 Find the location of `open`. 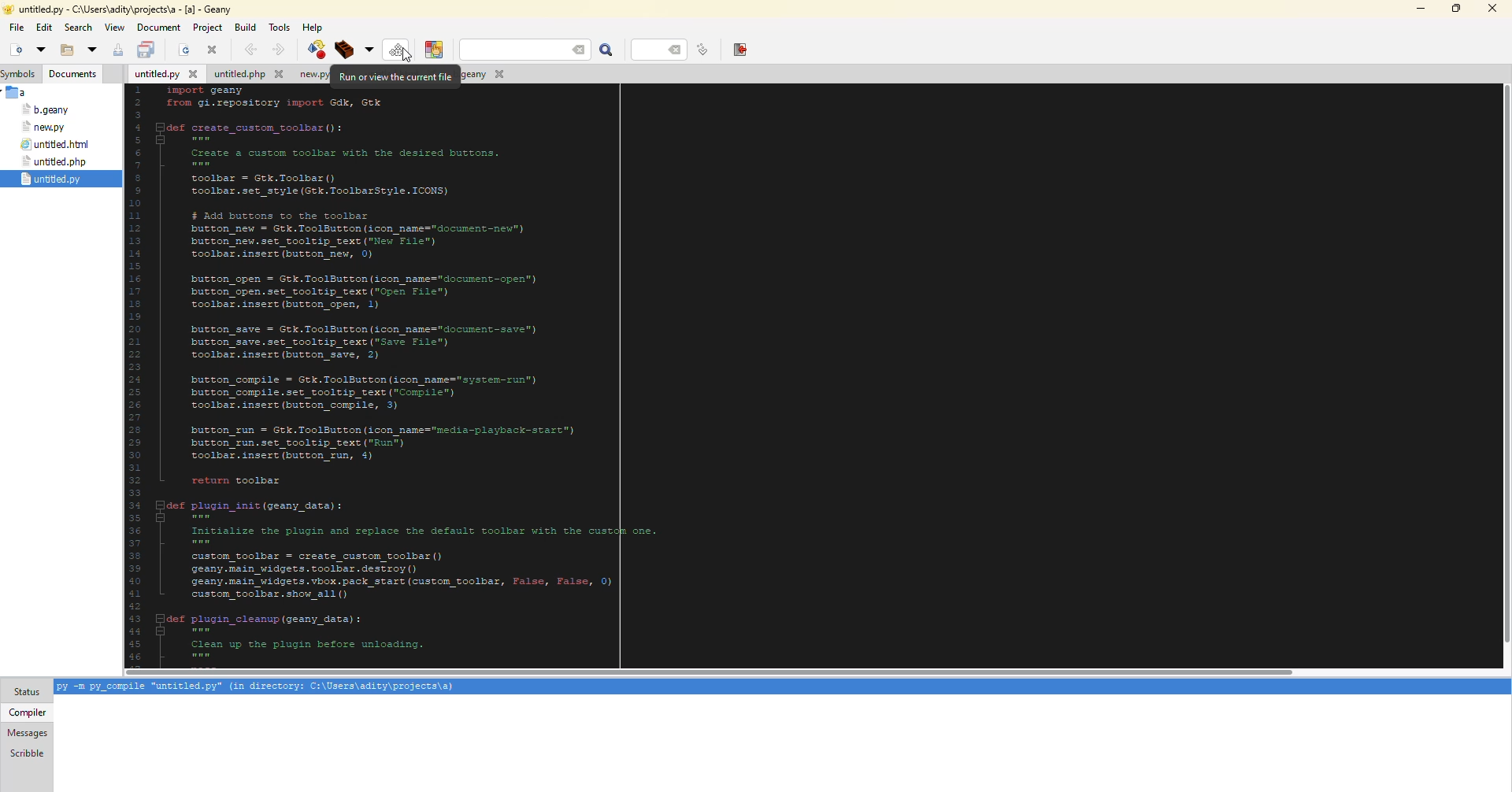

open is located at coordinates (67, 50).